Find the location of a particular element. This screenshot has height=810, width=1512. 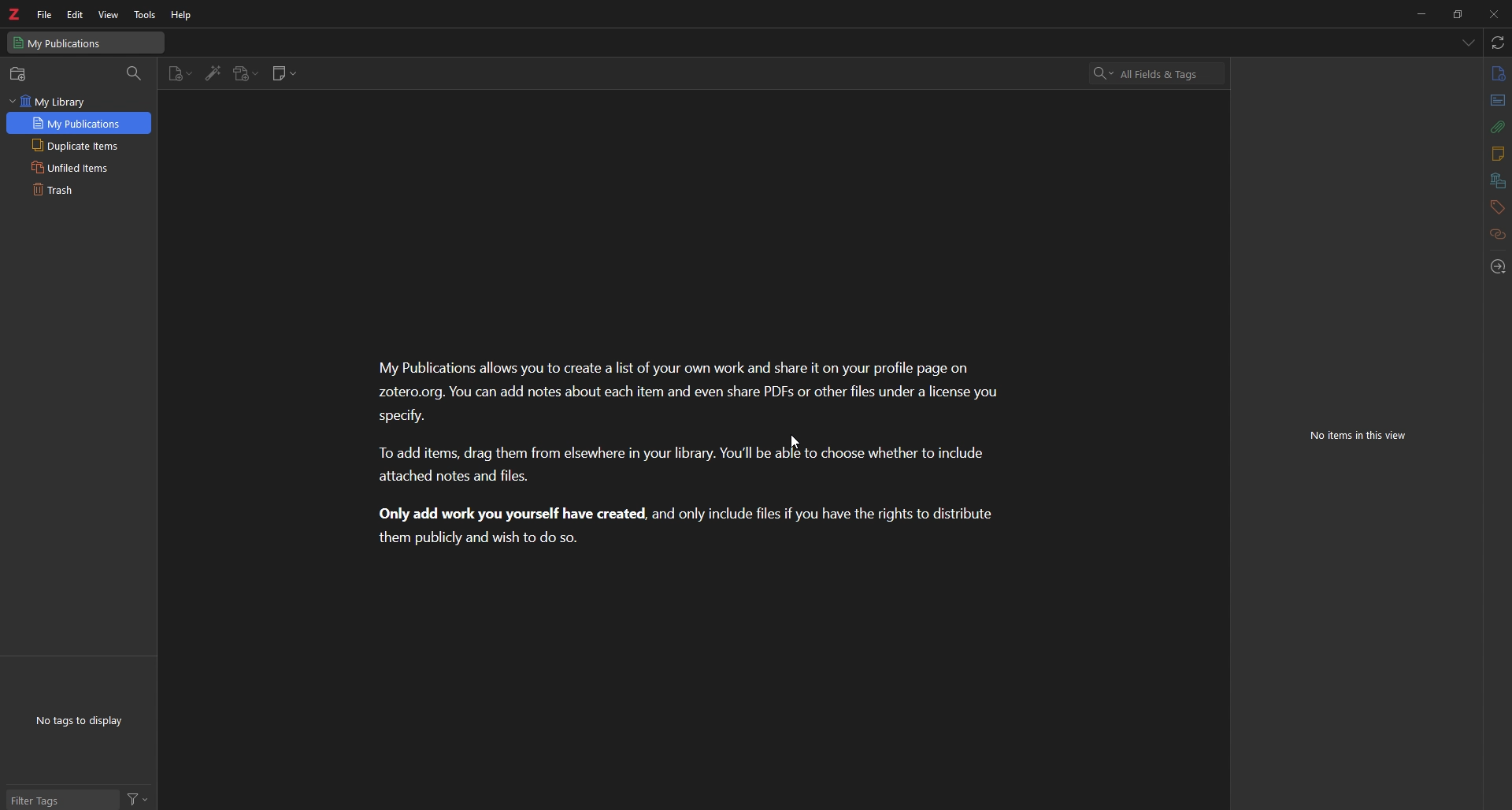

Abstract is located at coordinates (1495, 98).